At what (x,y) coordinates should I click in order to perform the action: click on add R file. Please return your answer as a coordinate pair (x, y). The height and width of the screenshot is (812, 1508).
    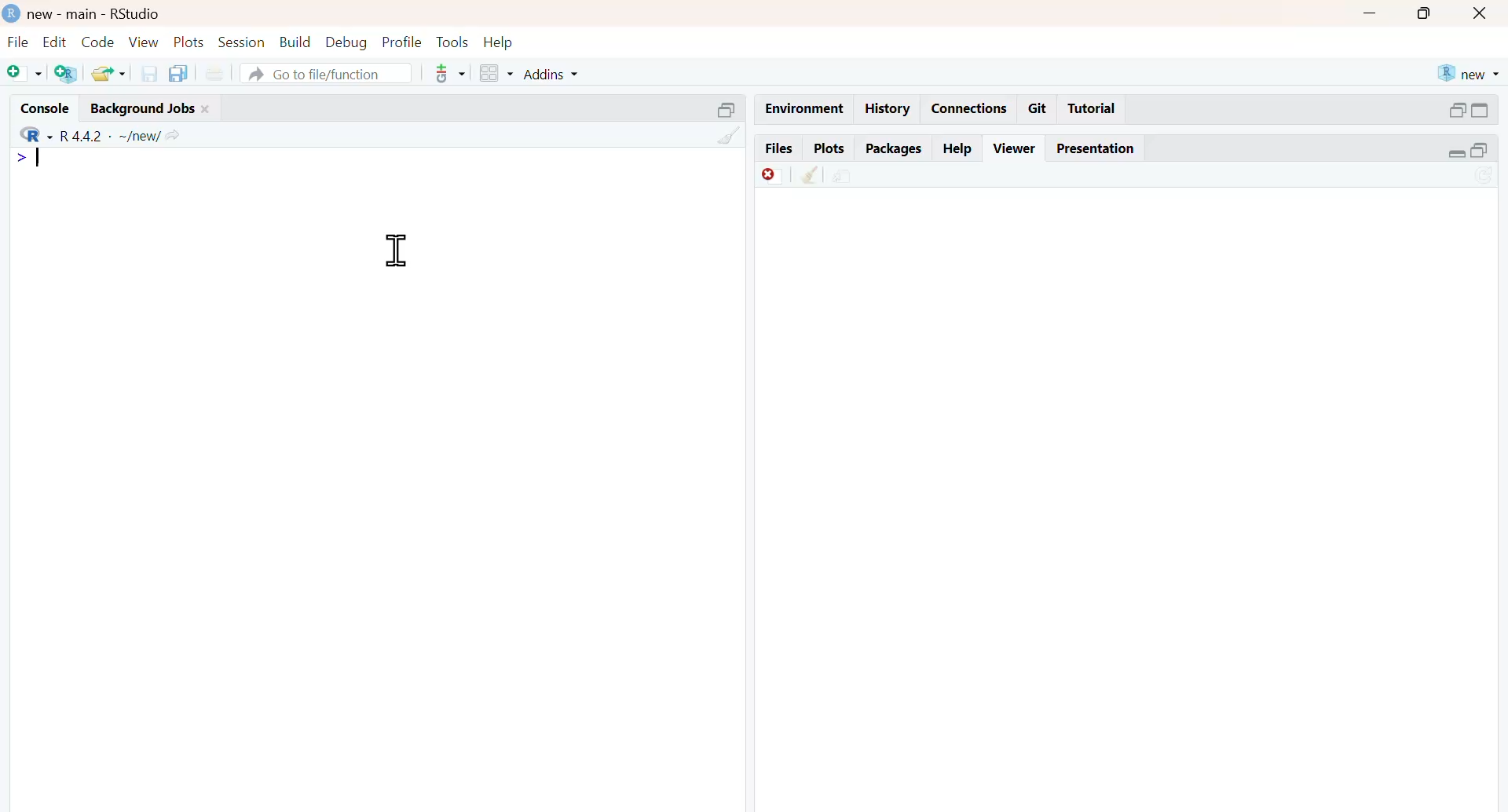
    Looking at the image, I should click on (68, 75).